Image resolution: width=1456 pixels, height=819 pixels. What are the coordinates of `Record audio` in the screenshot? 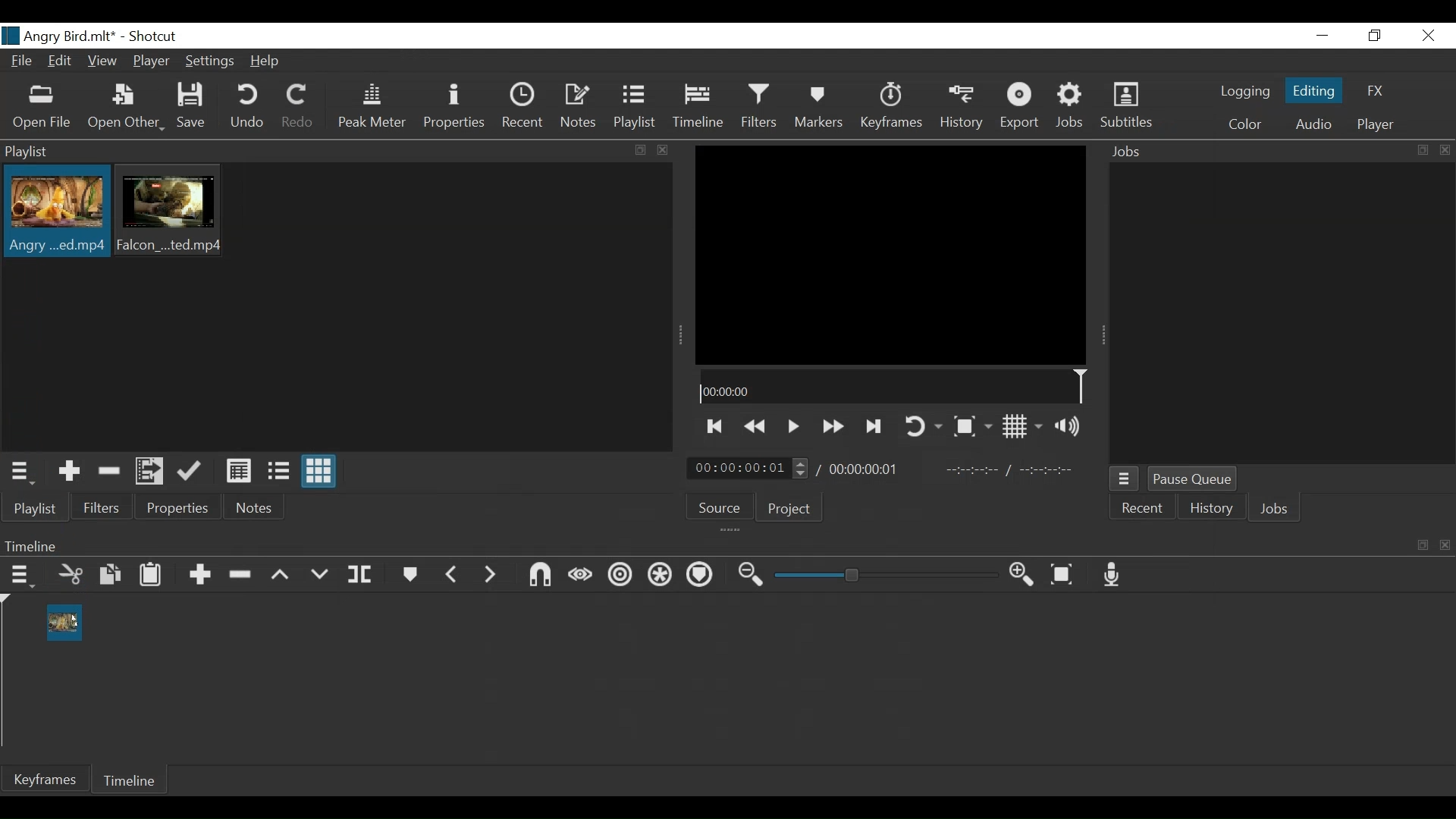 It's located at (1113, 574).